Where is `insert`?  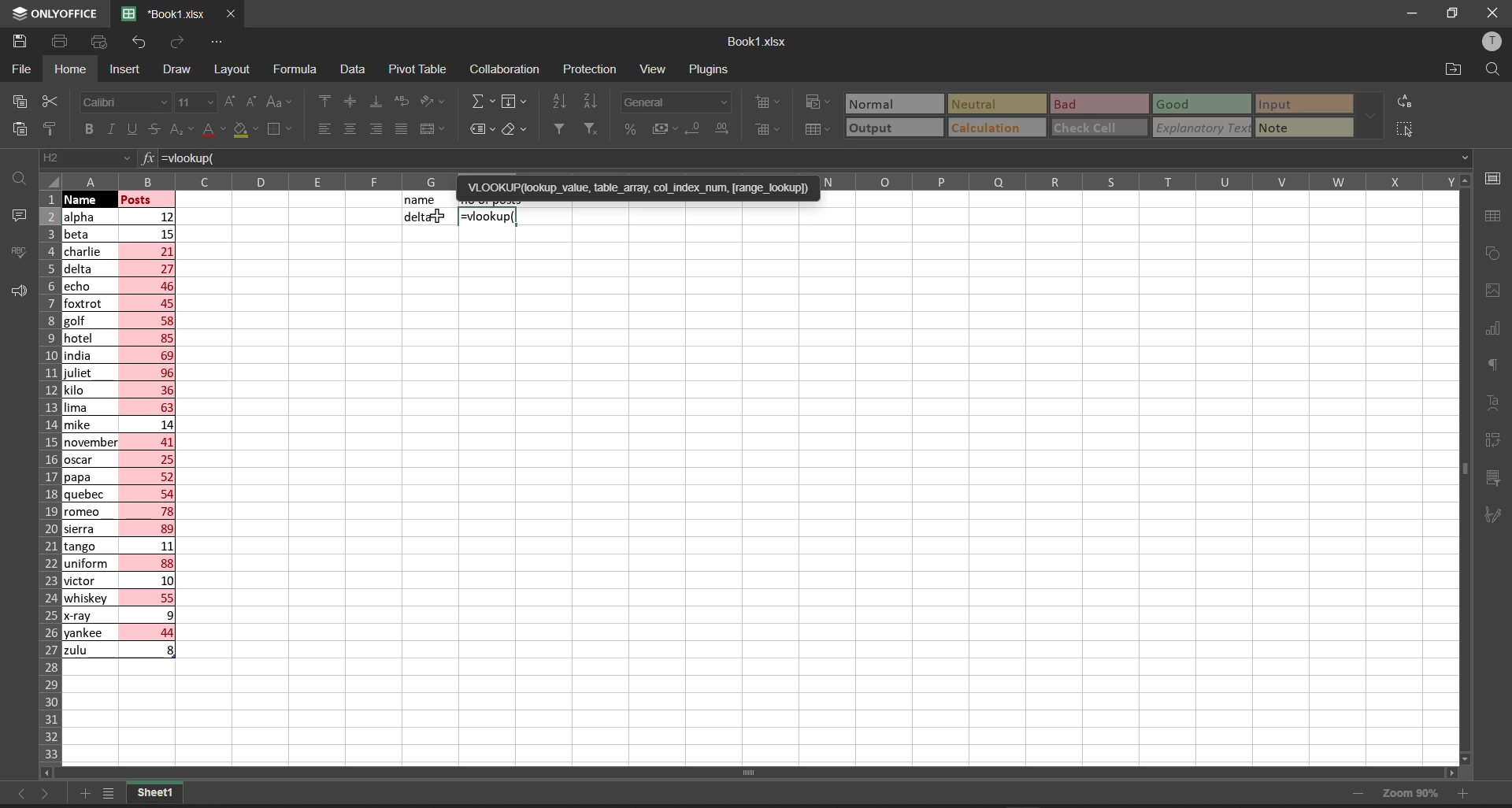
insert is located at coordinates (124, 70).